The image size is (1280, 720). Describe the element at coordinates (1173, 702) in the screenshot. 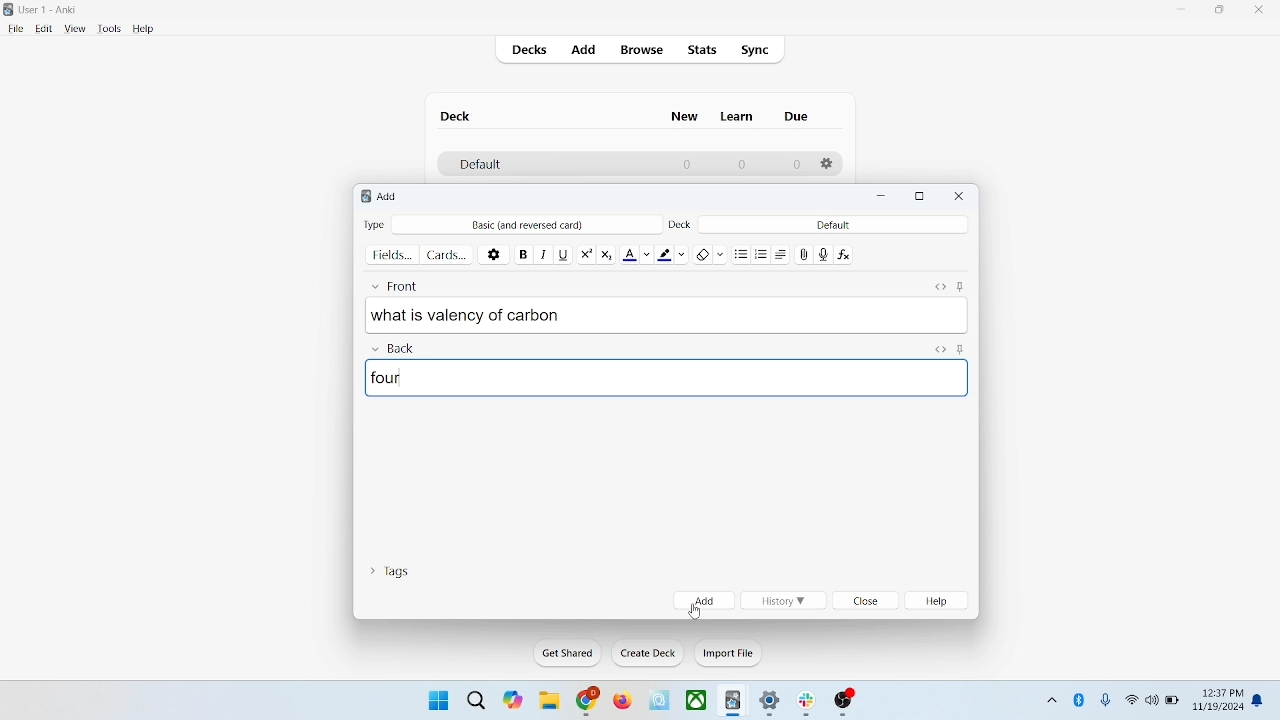

I see `battery` at that location.